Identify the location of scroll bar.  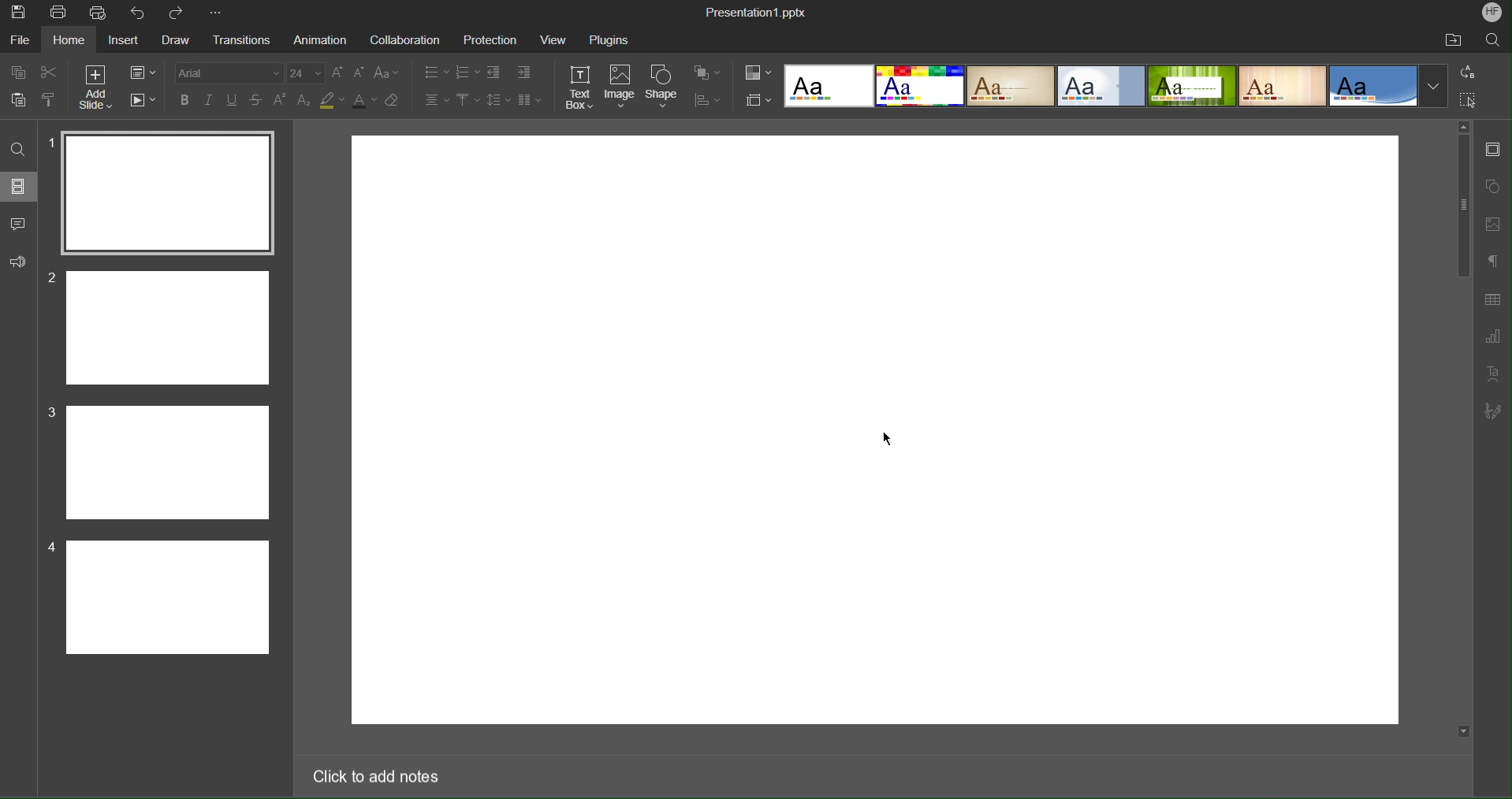
(1465, 426).